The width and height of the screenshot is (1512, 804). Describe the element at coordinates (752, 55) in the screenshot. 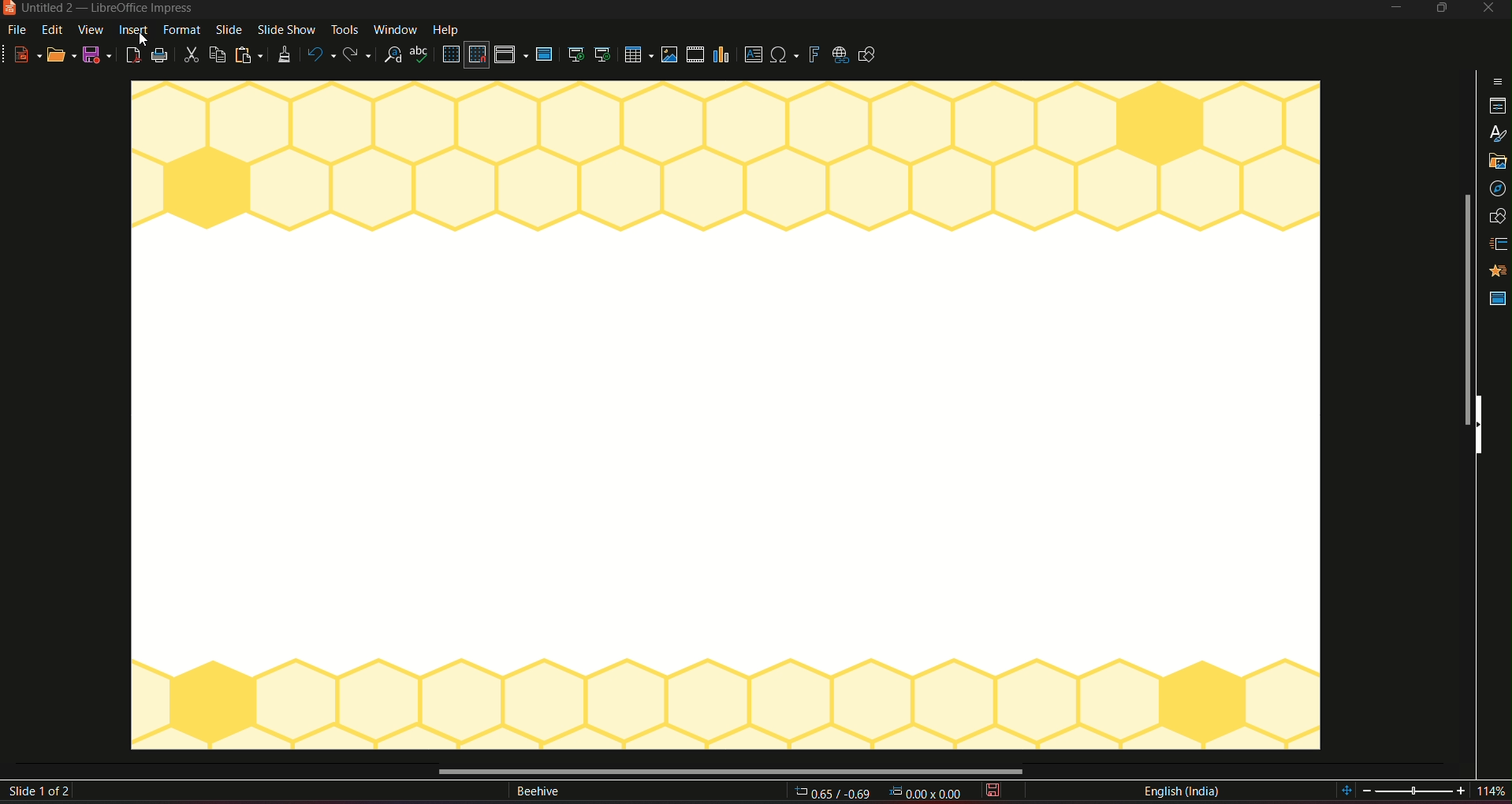

I see `insert text box` at that location.